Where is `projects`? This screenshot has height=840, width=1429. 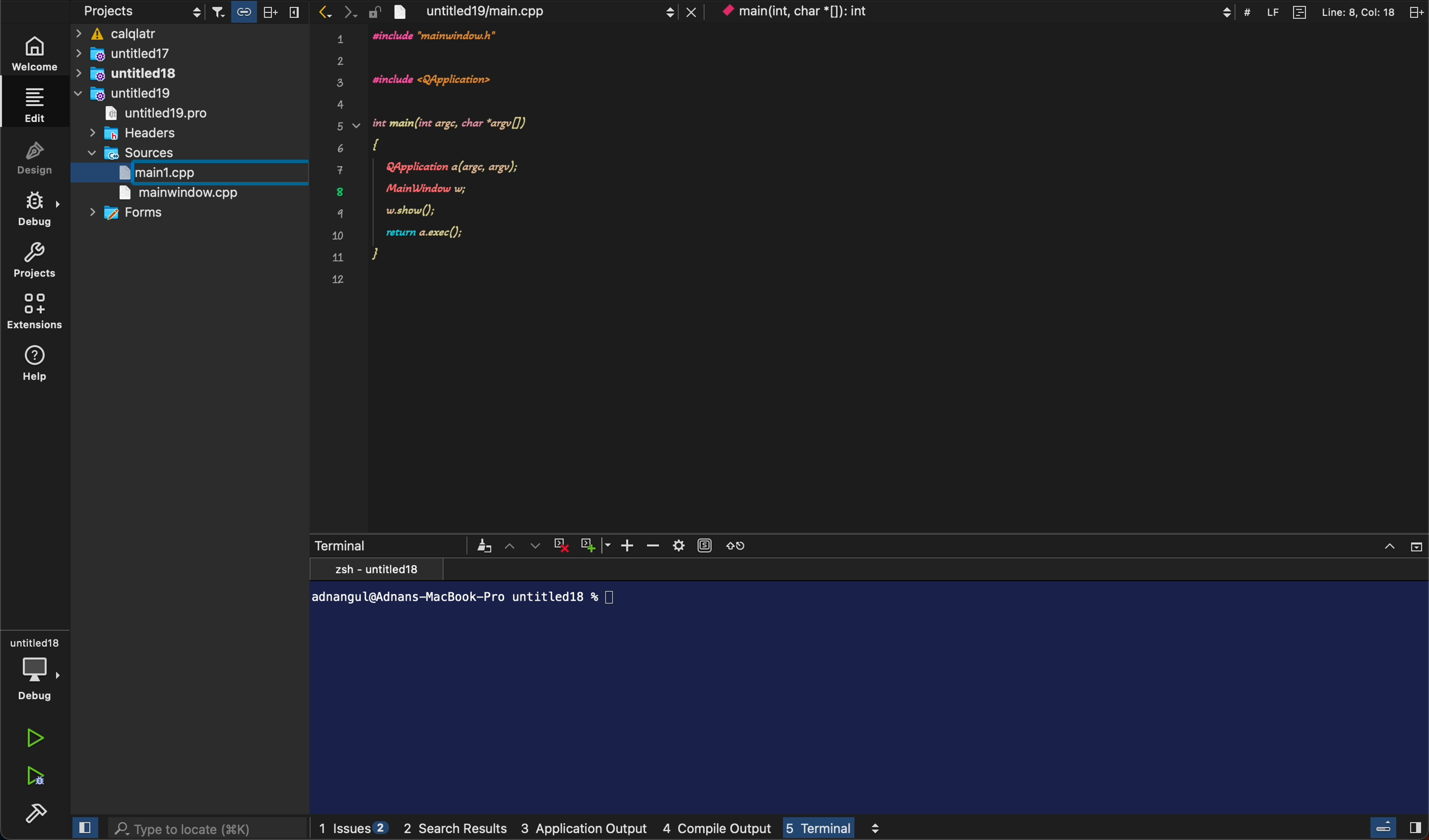
projects is located at coordinates (141, 12).